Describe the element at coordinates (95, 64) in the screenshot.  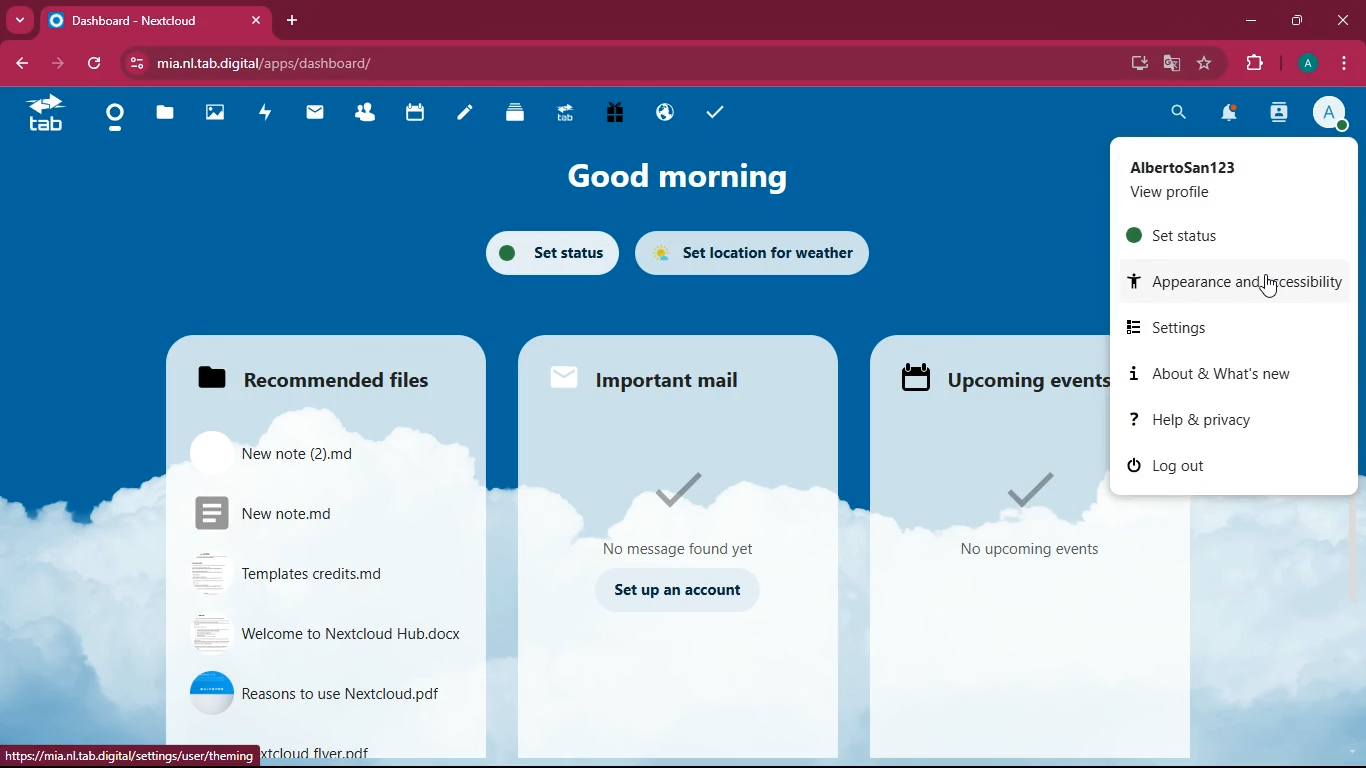
I see `refresh` at that location.